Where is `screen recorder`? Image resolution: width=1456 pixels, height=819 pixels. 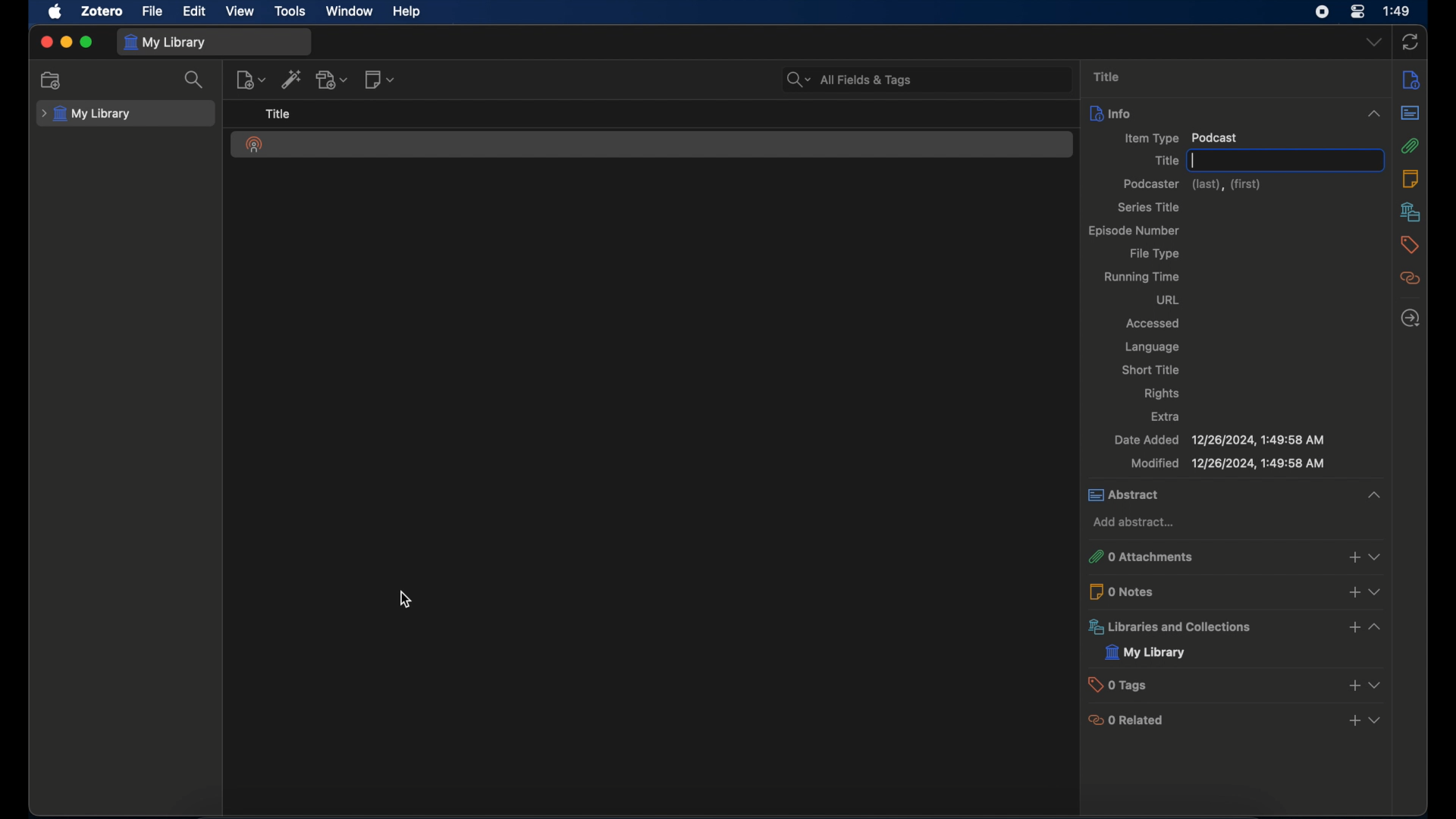
screen recorder is located at coordinates (1321, 12).